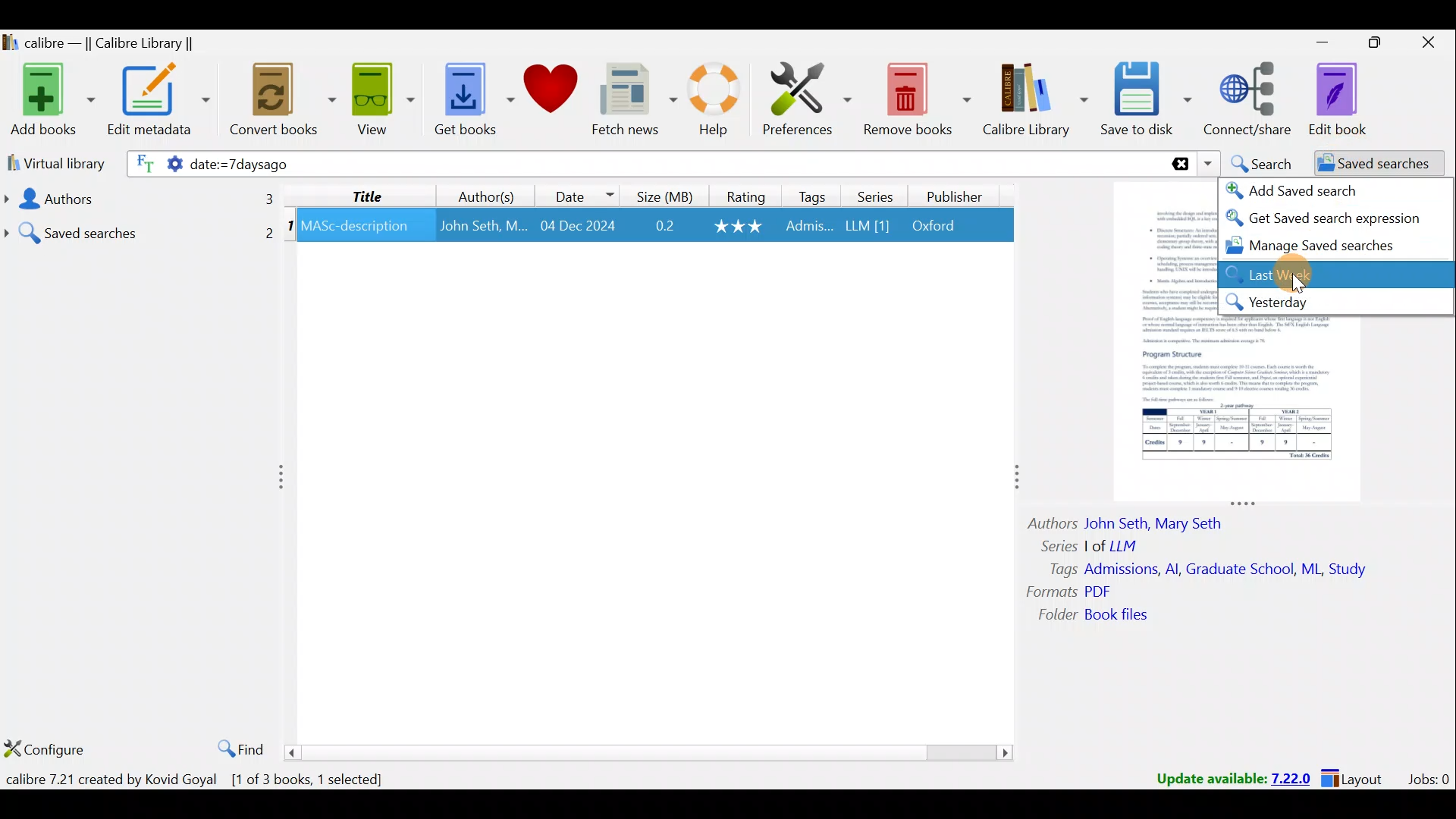 Image resolution: width=1456 pixels, height=819 pixels. What do you see at coordinates (483, 226) in the screenshot?
I see `John Seth, M...` at bounding box center [483, 226].